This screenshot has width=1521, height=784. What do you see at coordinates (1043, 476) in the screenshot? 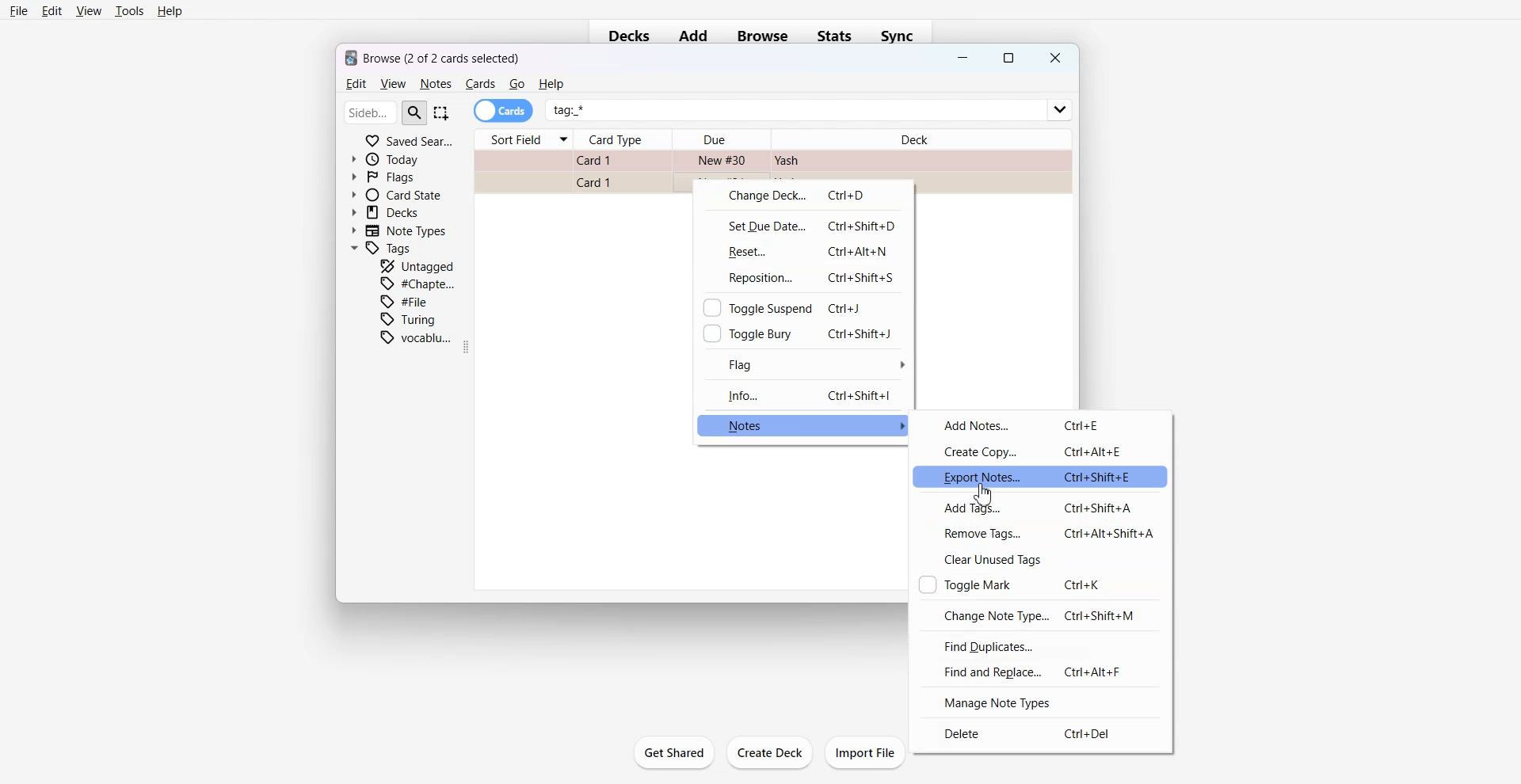
I see `Export Notes` at bounding box center [1043, 476].